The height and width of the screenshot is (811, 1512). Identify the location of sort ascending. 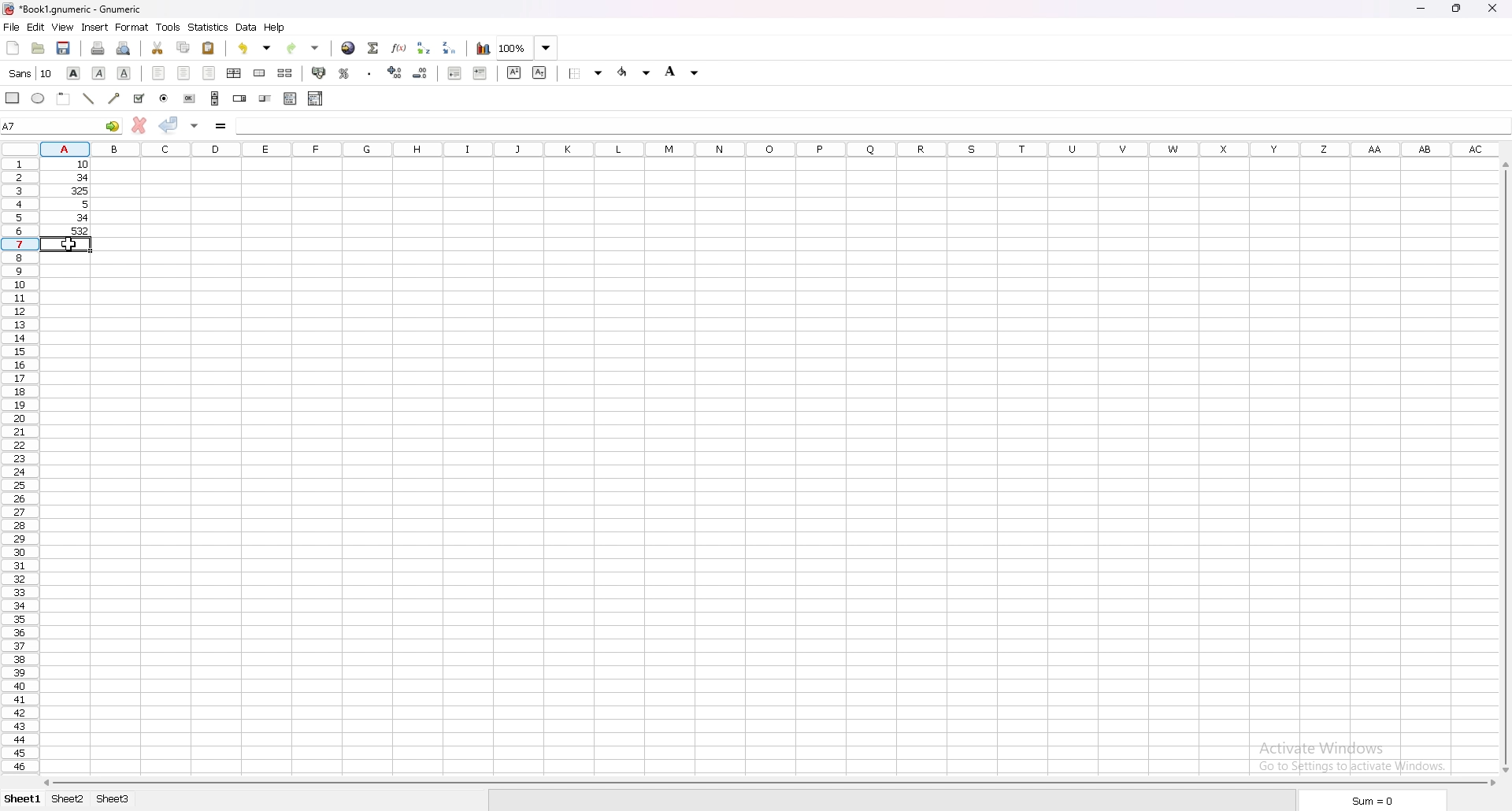
(424, 47).